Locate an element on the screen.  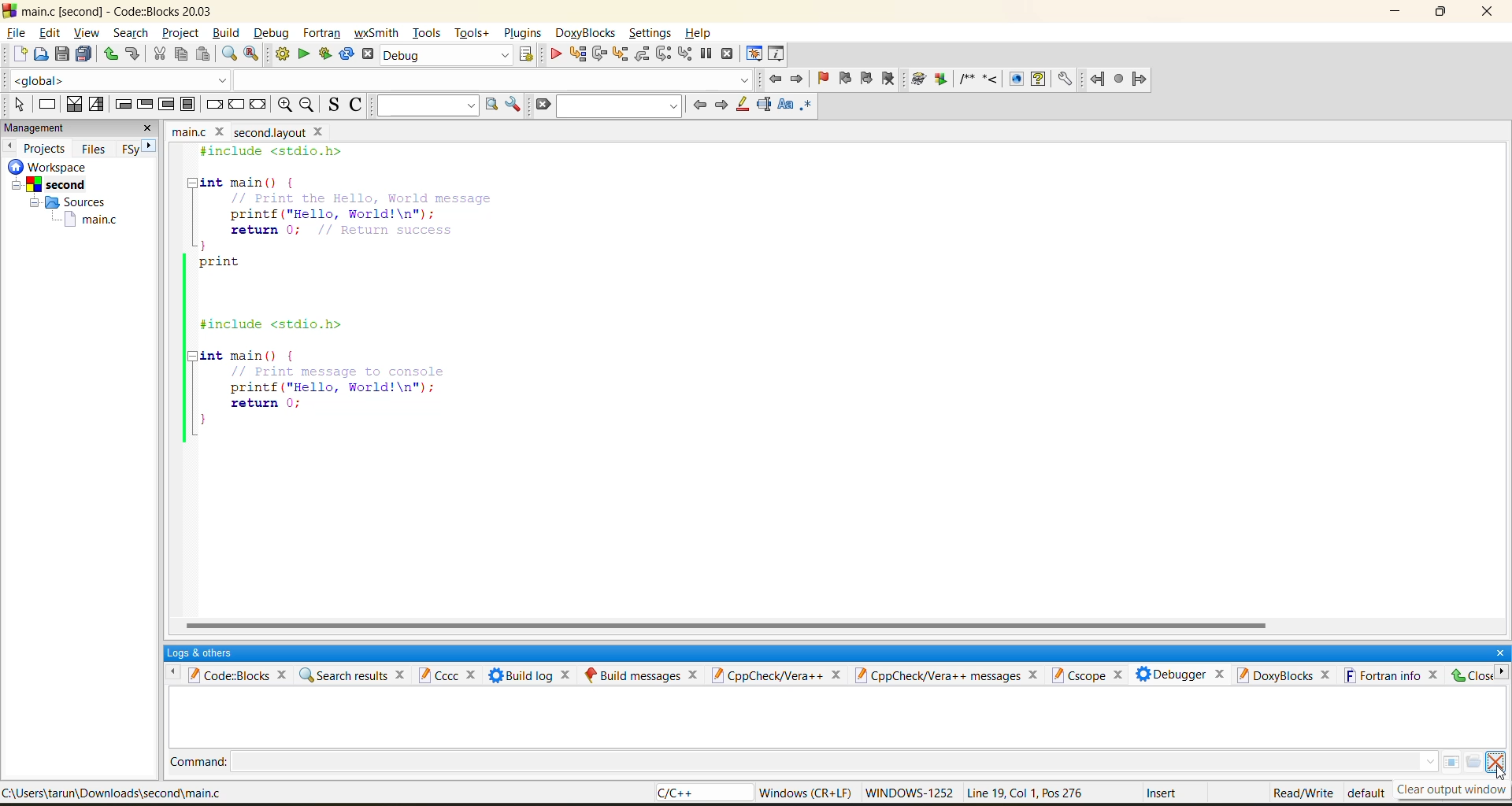
minimize is located at coordinates (1397, 15).